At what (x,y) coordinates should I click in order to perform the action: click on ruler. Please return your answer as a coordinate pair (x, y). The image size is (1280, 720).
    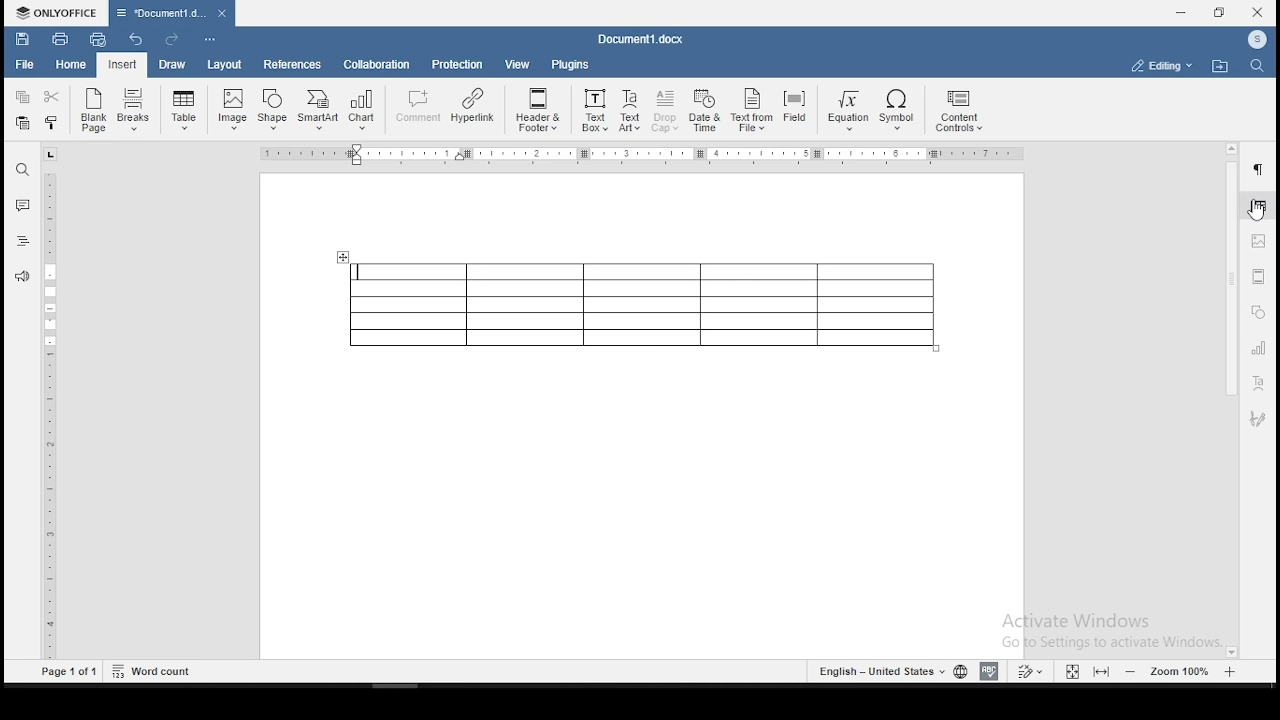
    Looking at the image, I should click on (53, 416).